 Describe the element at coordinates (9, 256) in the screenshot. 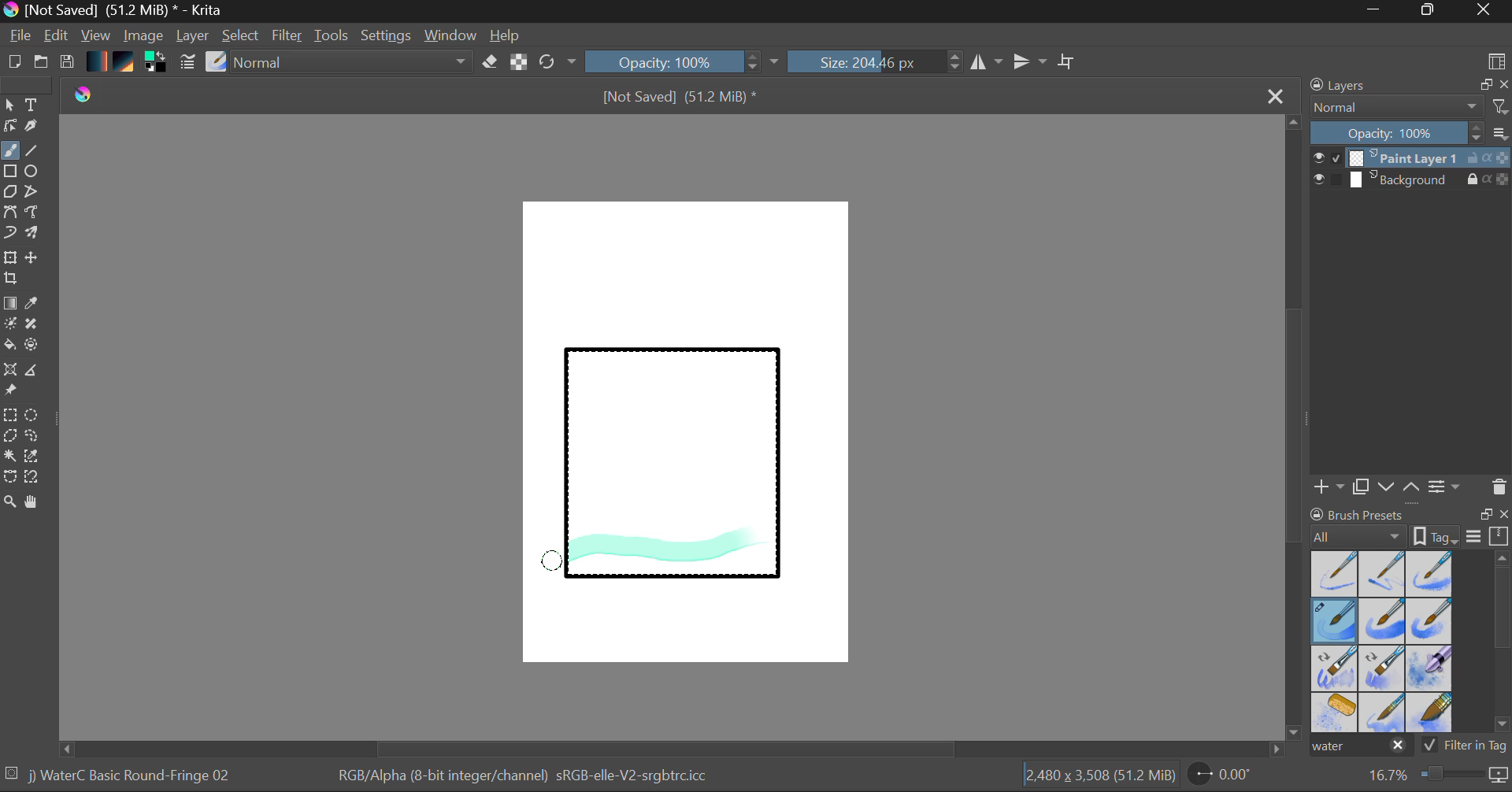

I see `Transform Layer` at that location.